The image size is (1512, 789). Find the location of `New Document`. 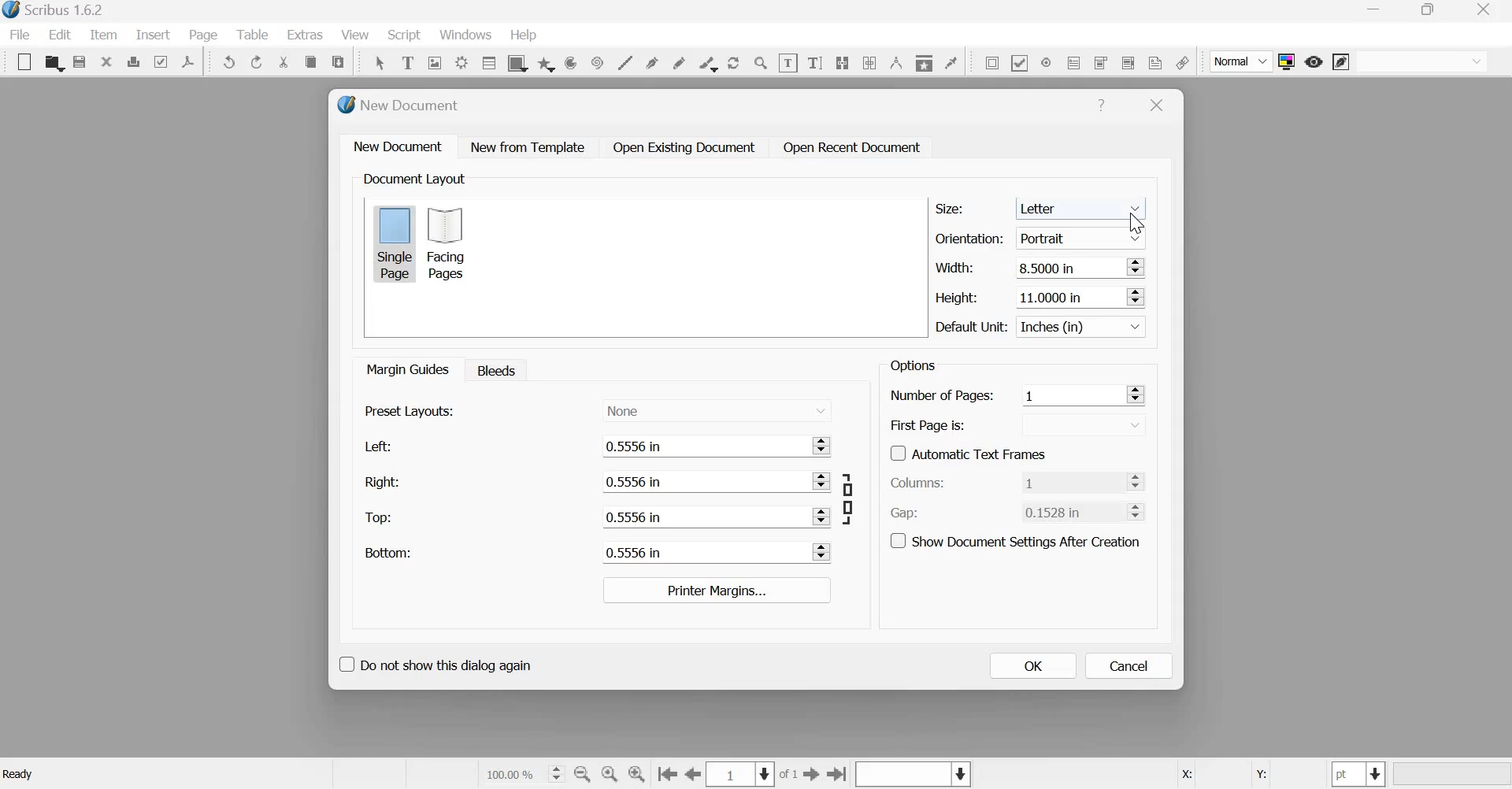

New Document is located at coordinates (400, 105).